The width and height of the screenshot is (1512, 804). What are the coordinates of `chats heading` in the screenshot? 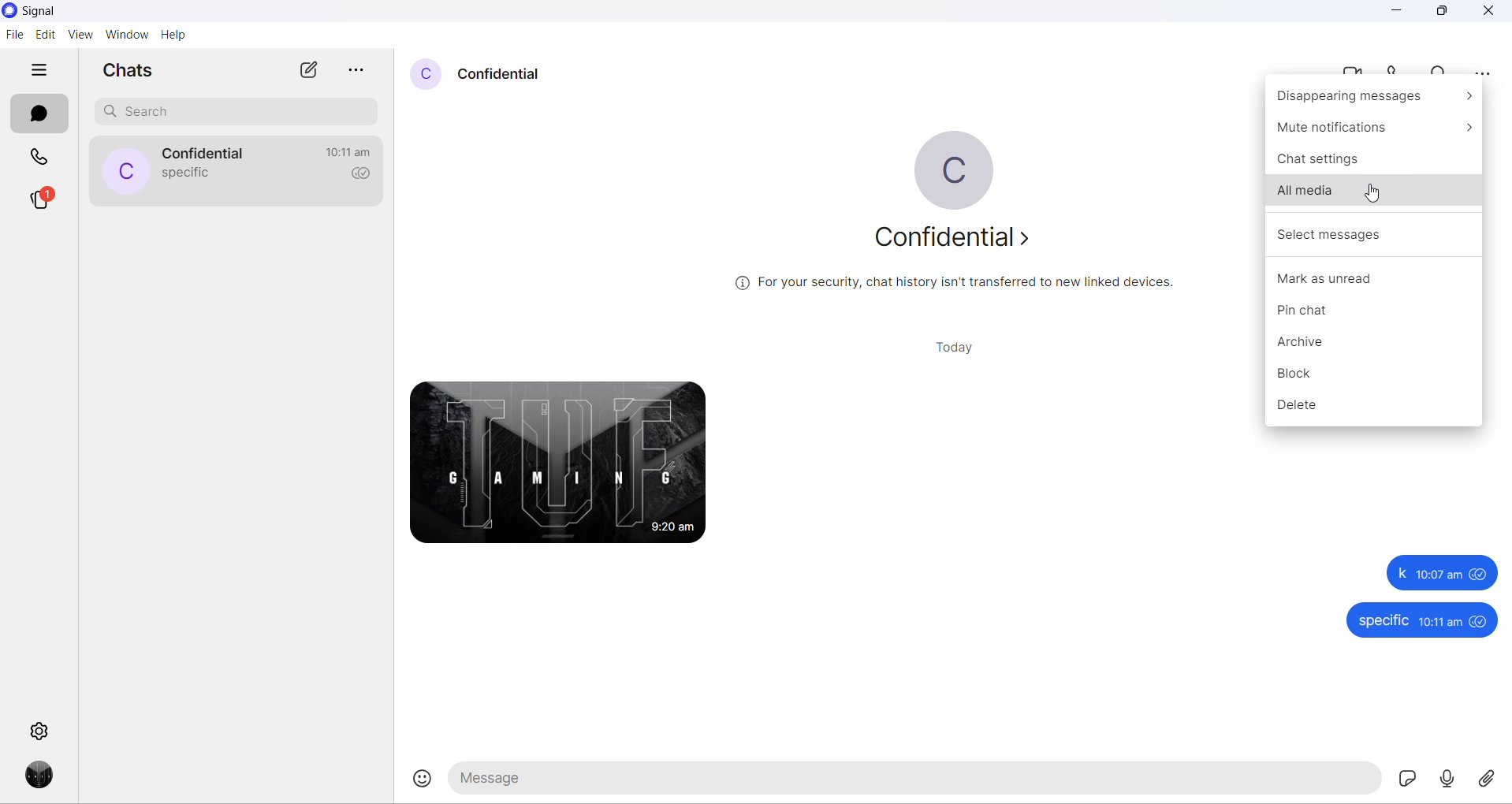 It's located at (130, 73).